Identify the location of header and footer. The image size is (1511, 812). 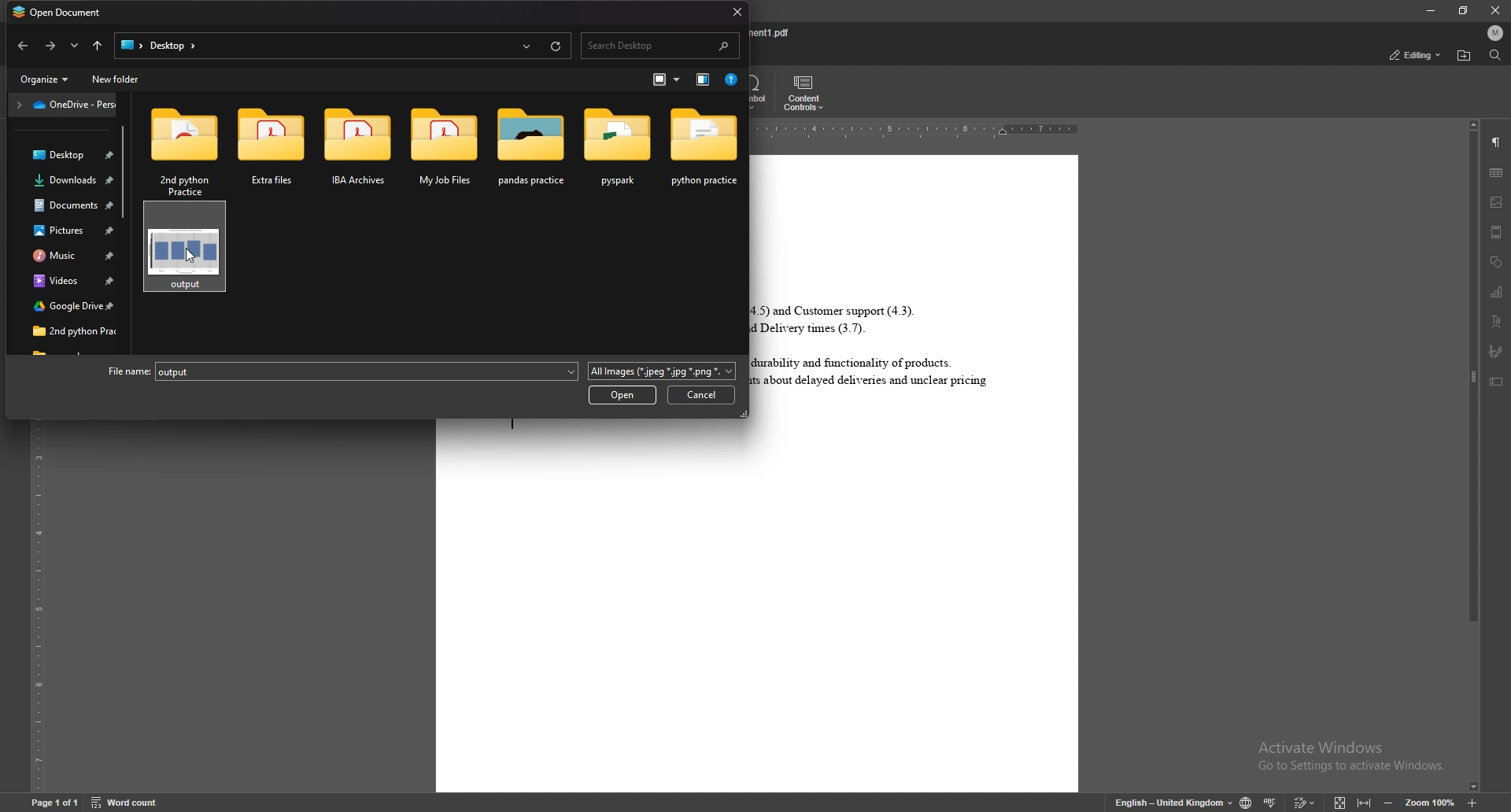
(1497, 232).